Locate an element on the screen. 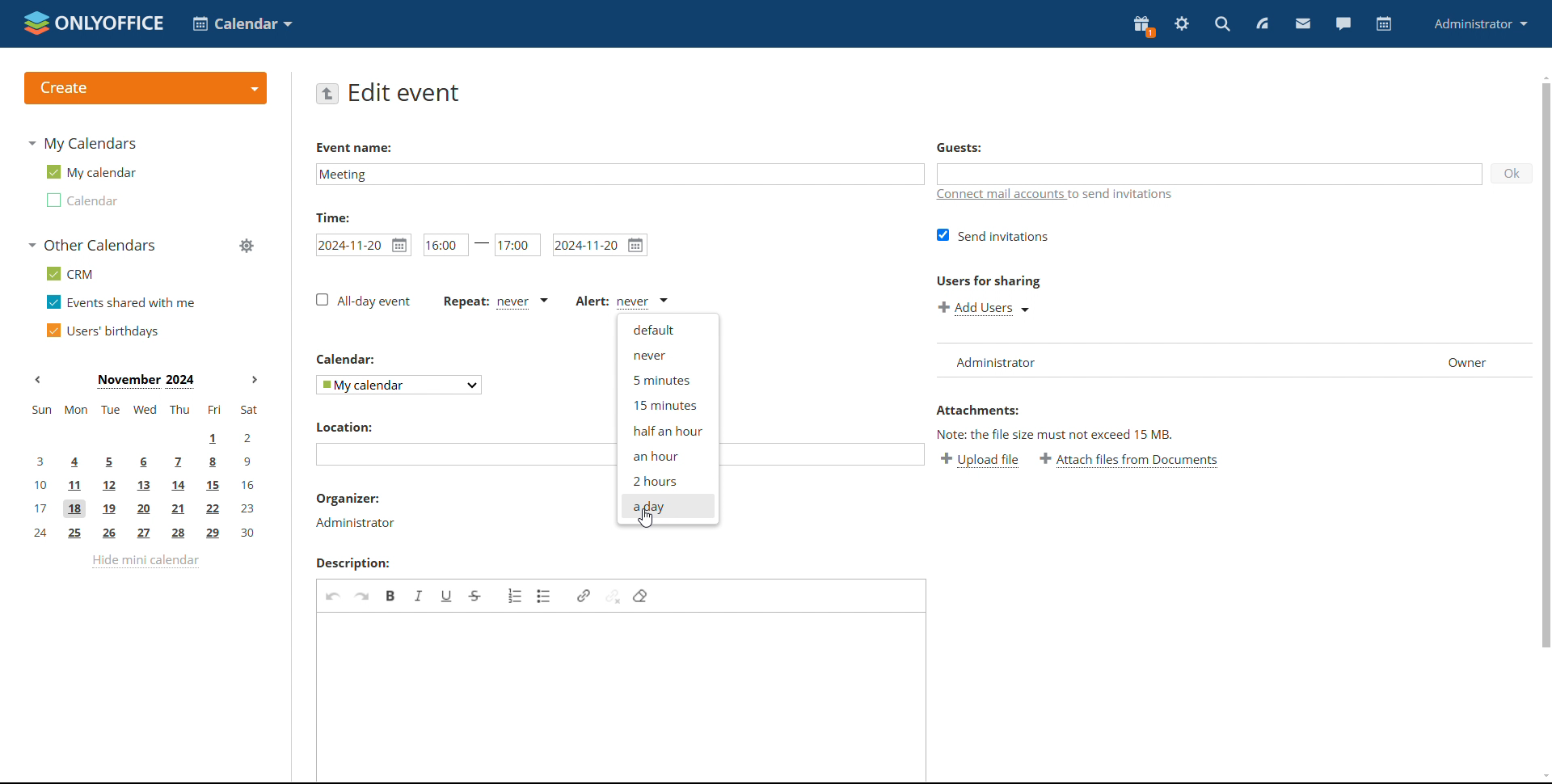 The image size is (1552, 784). upload file is located at coordinates (980, 461).